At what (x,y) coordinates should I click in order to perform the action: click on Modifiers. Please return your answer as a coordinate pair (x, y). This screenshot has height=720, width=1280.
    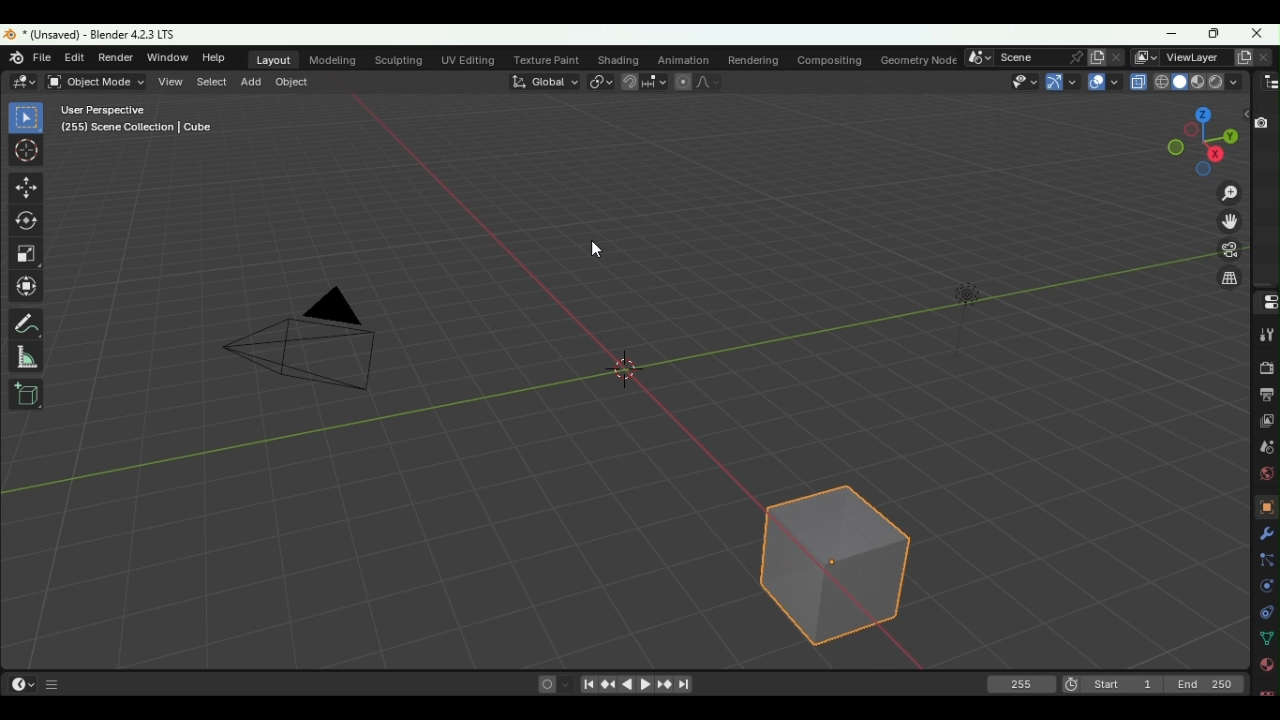
    Looking at the image, I should click on (1266, 536).